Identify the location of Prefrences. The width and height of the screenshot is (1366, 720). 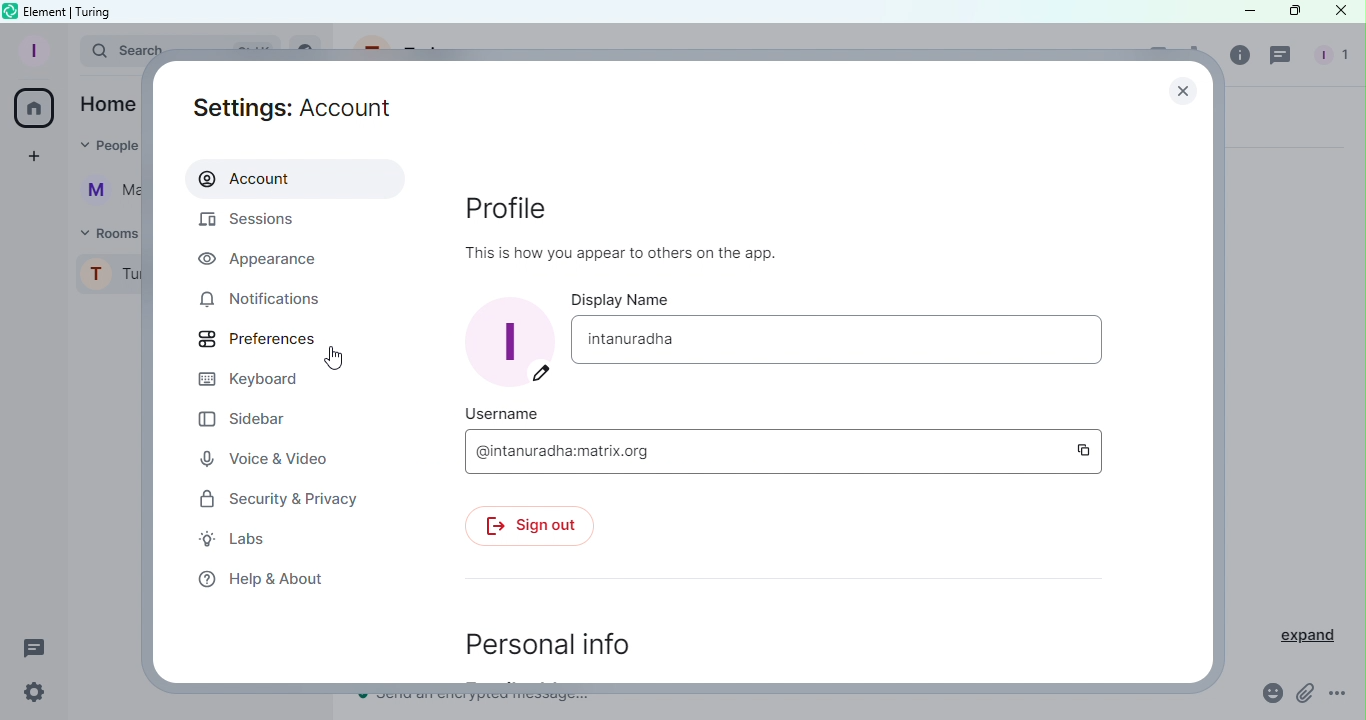
(251, 340).